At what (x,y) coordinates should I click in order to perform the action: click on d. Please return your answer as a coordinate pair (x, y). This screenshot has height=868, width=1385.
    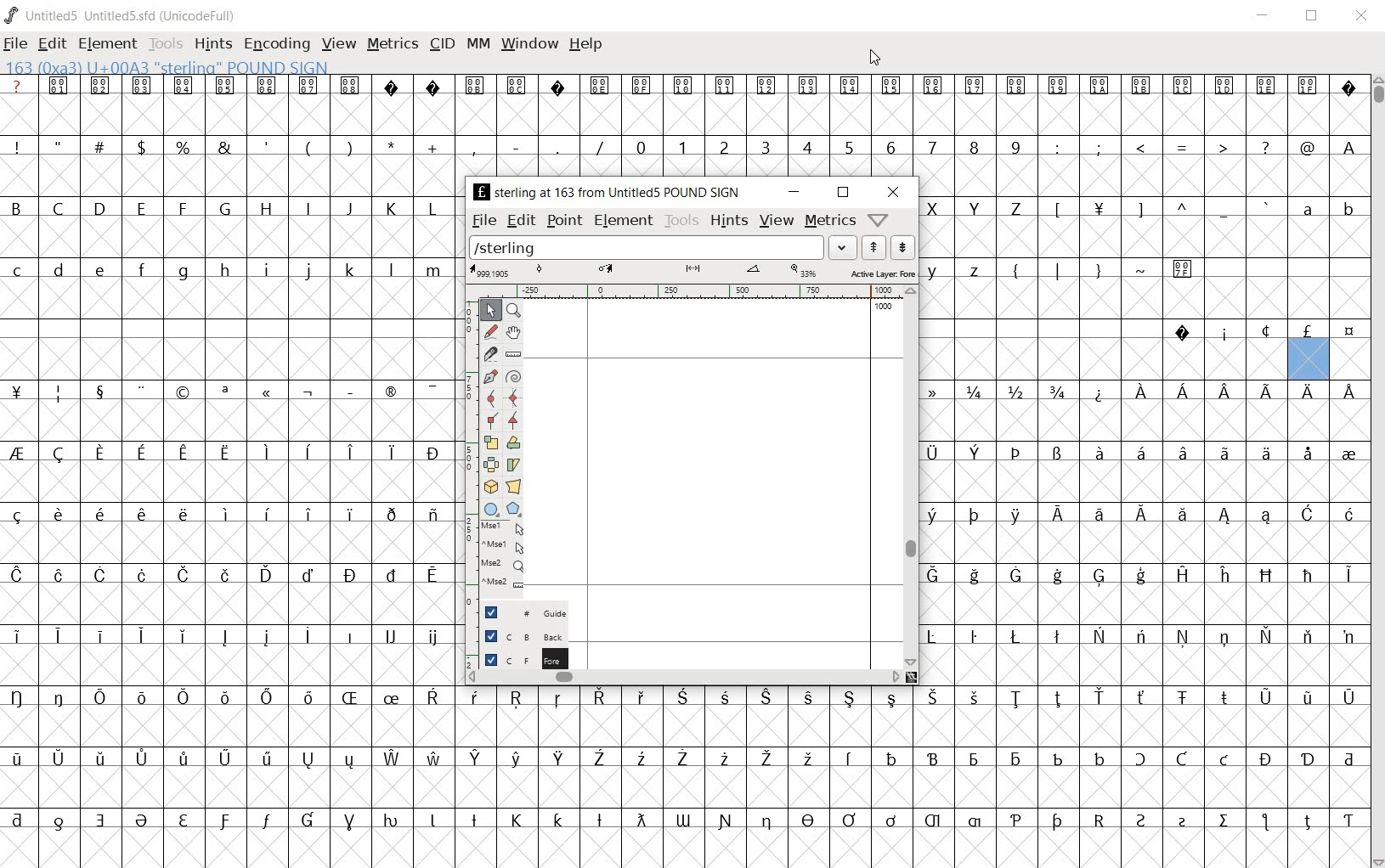
    Looking at the image, I should click on (59, 272).